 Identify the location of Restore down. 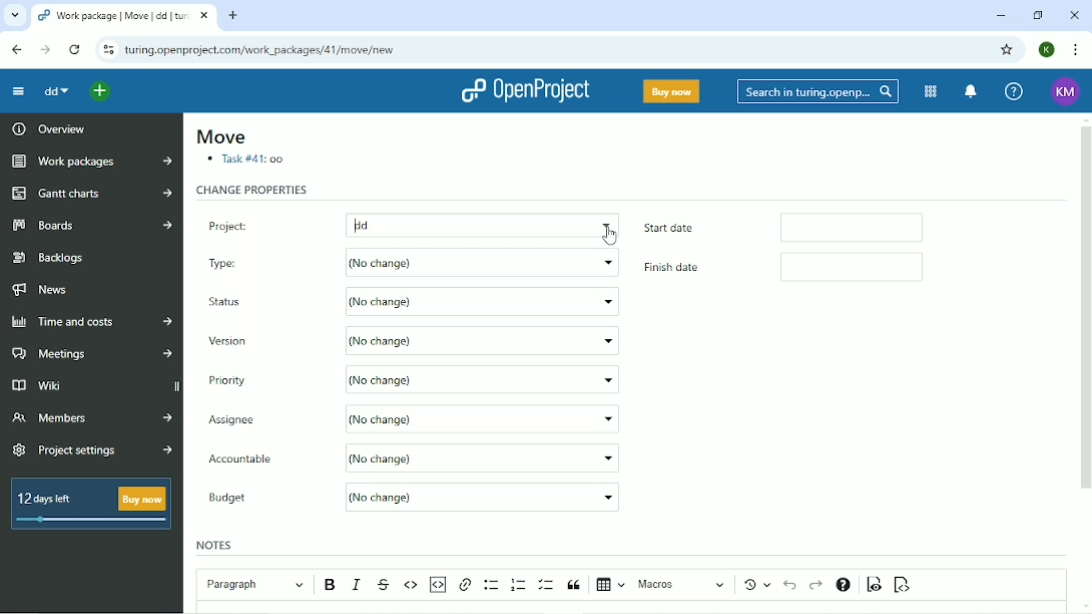
(1036, 15).